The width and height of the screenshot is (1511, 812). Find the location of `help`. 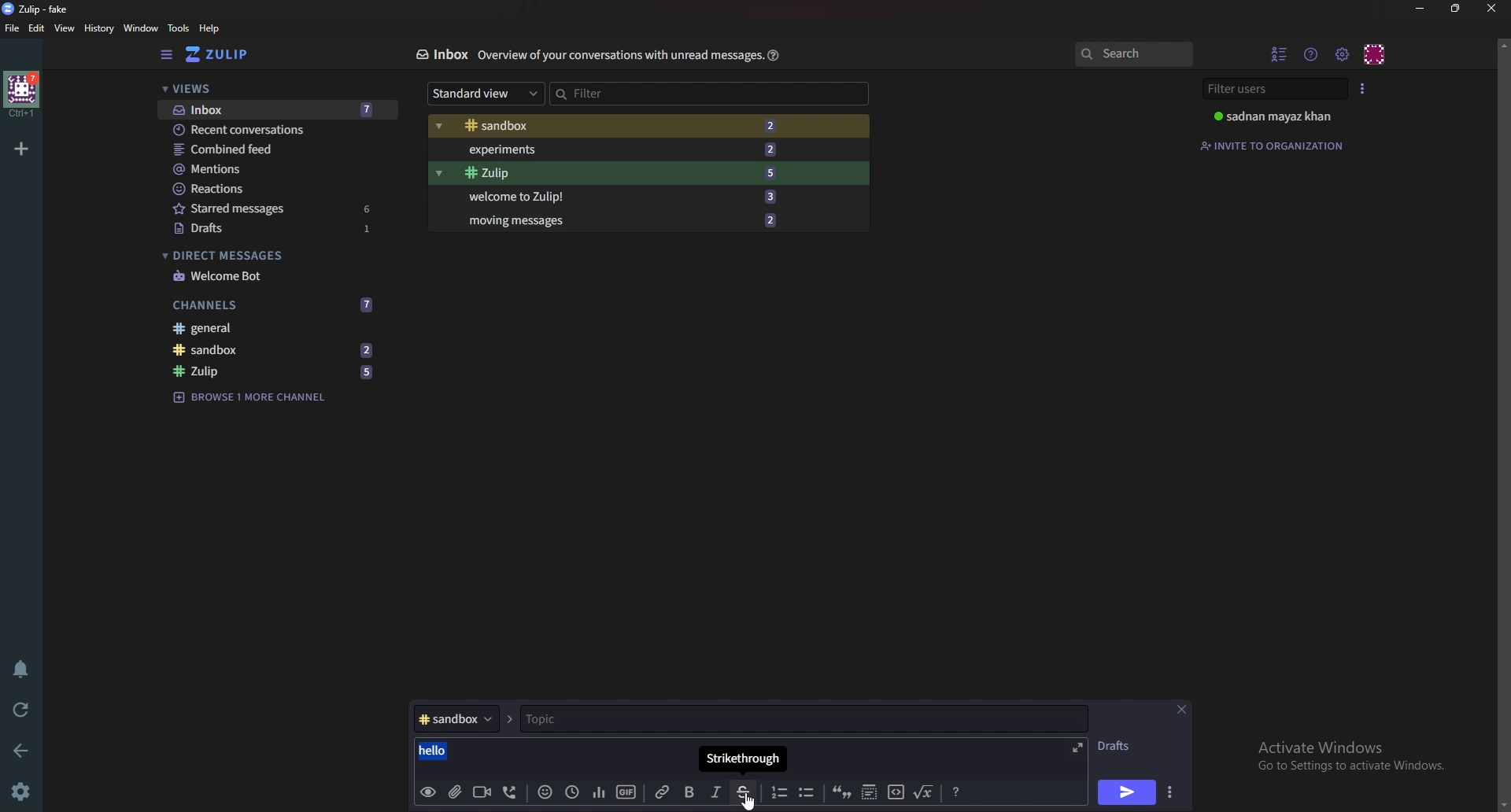

help is located at coordinates (772, 54).